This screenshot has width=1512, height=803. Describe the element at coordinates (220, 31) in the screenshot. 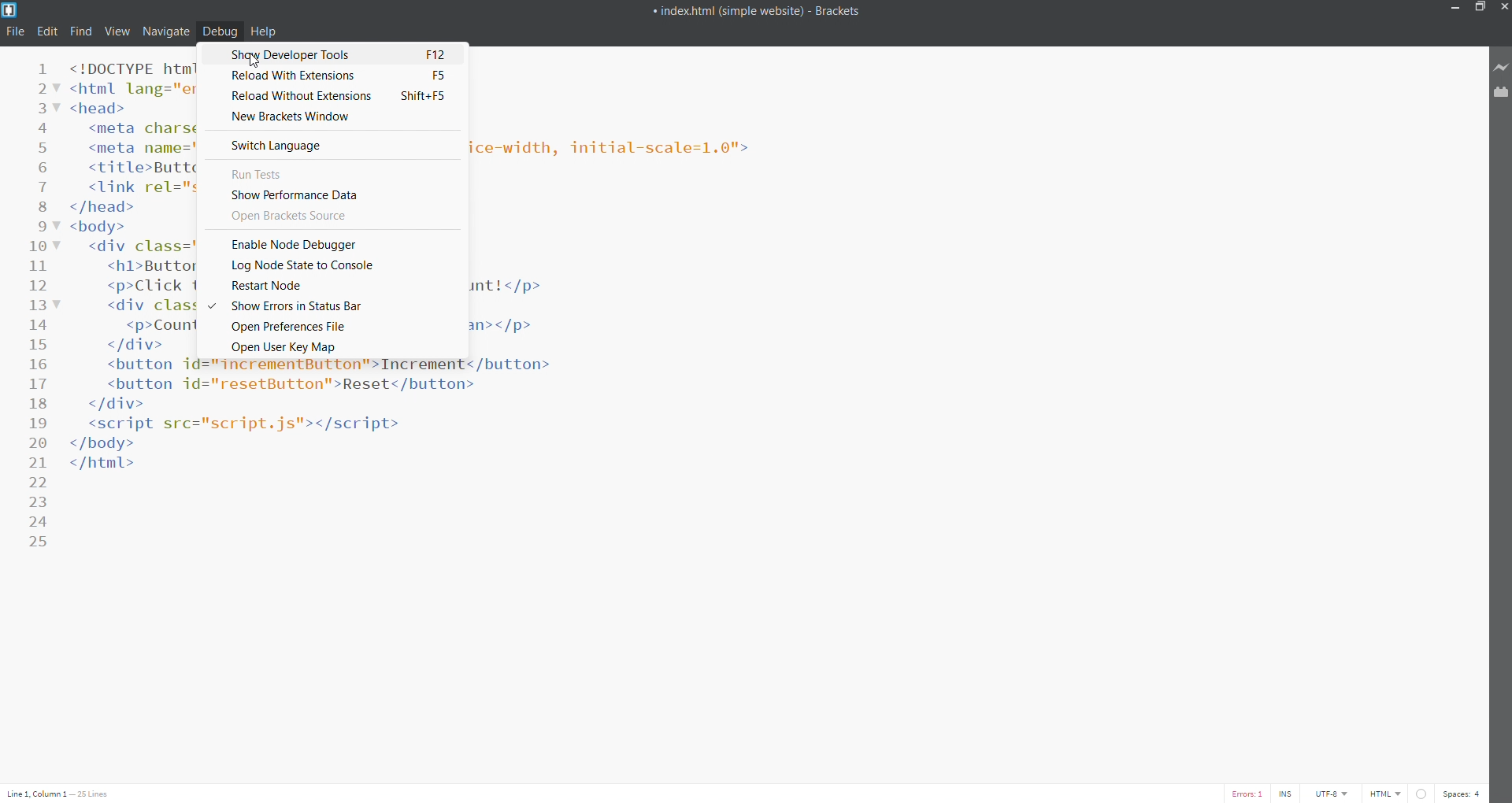

I see `debug` at that location.